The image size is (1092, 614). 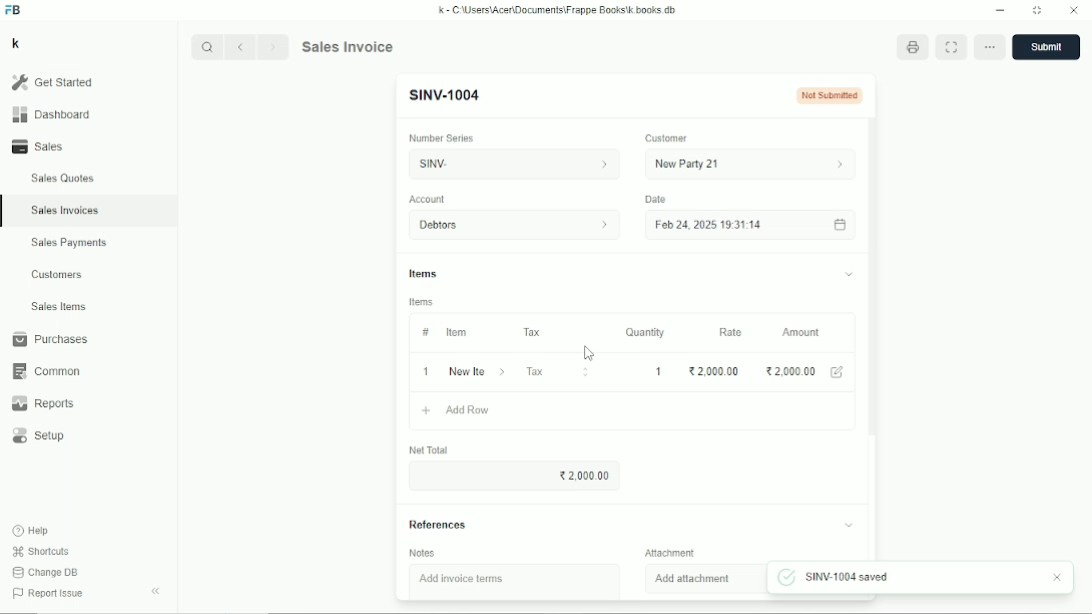 What do you see at coordinates (534, 332) in the screenshot?
I see `Tax` at bounding box center [534, 332].